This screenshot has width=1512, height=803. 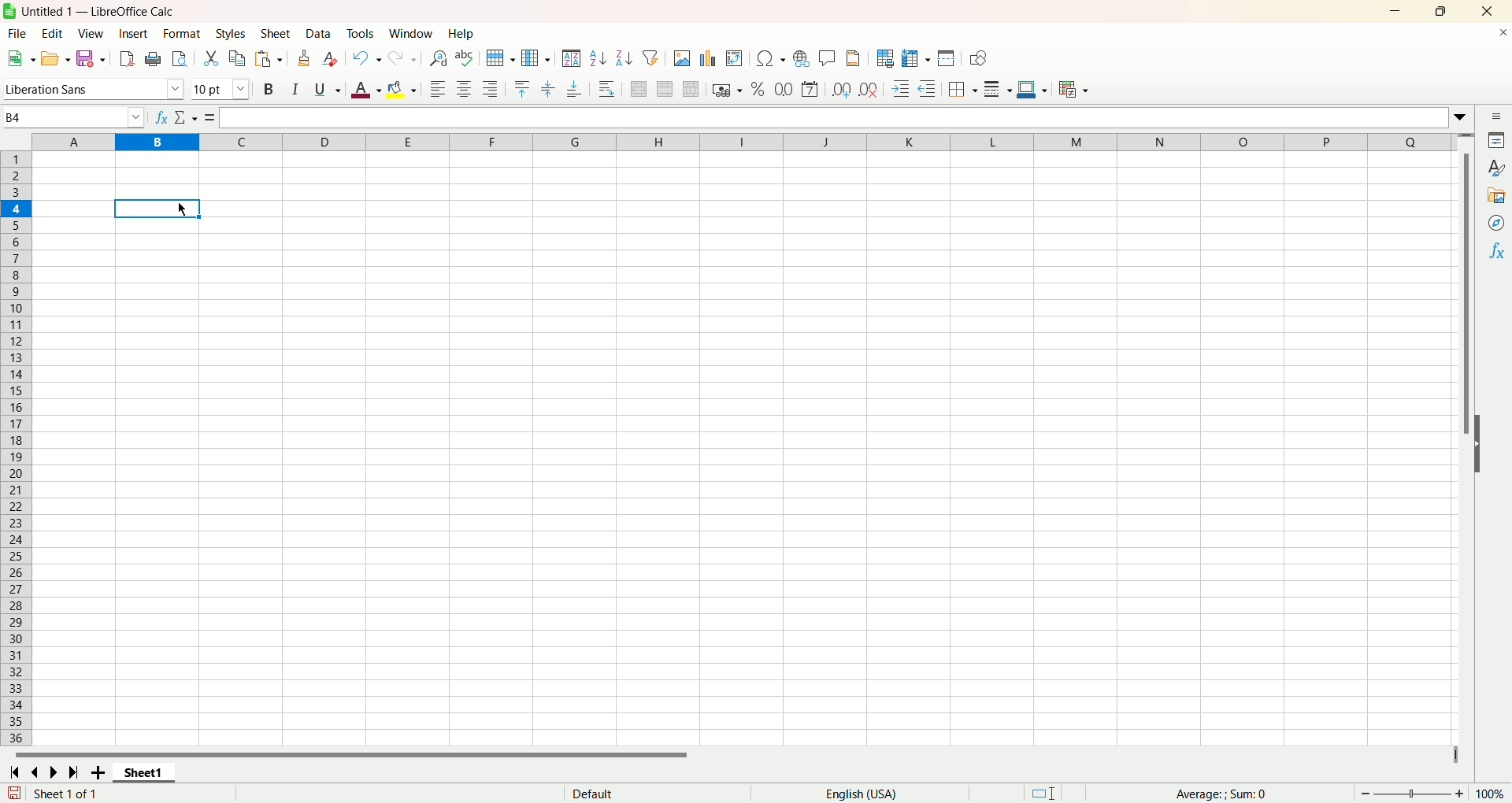 What do you see at coordinates (93, 90) in the screenshot?
I see `font name` at bounding box center [93, 90].